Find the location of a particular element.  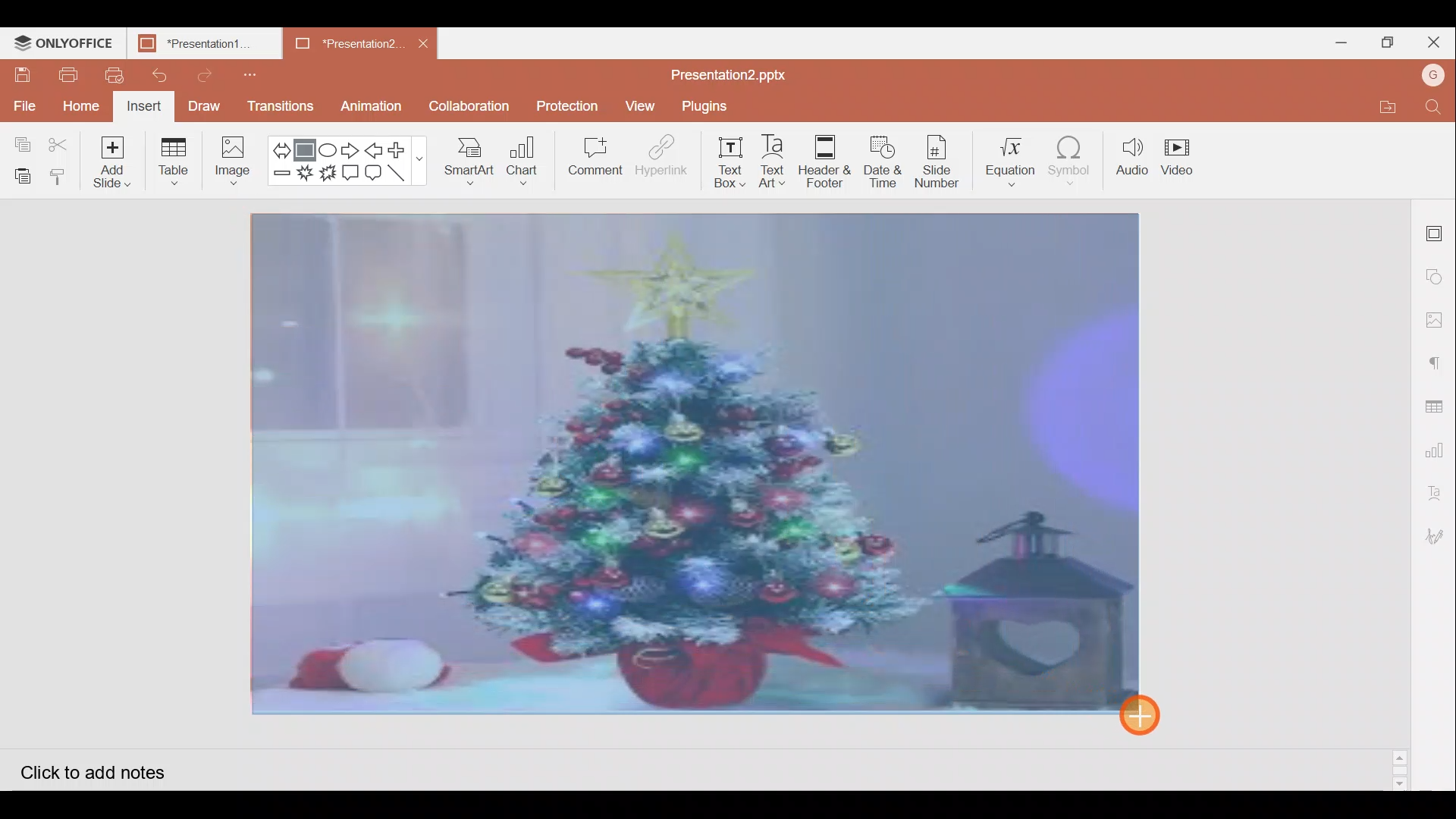

Find is located at coordinates (1438, 108).